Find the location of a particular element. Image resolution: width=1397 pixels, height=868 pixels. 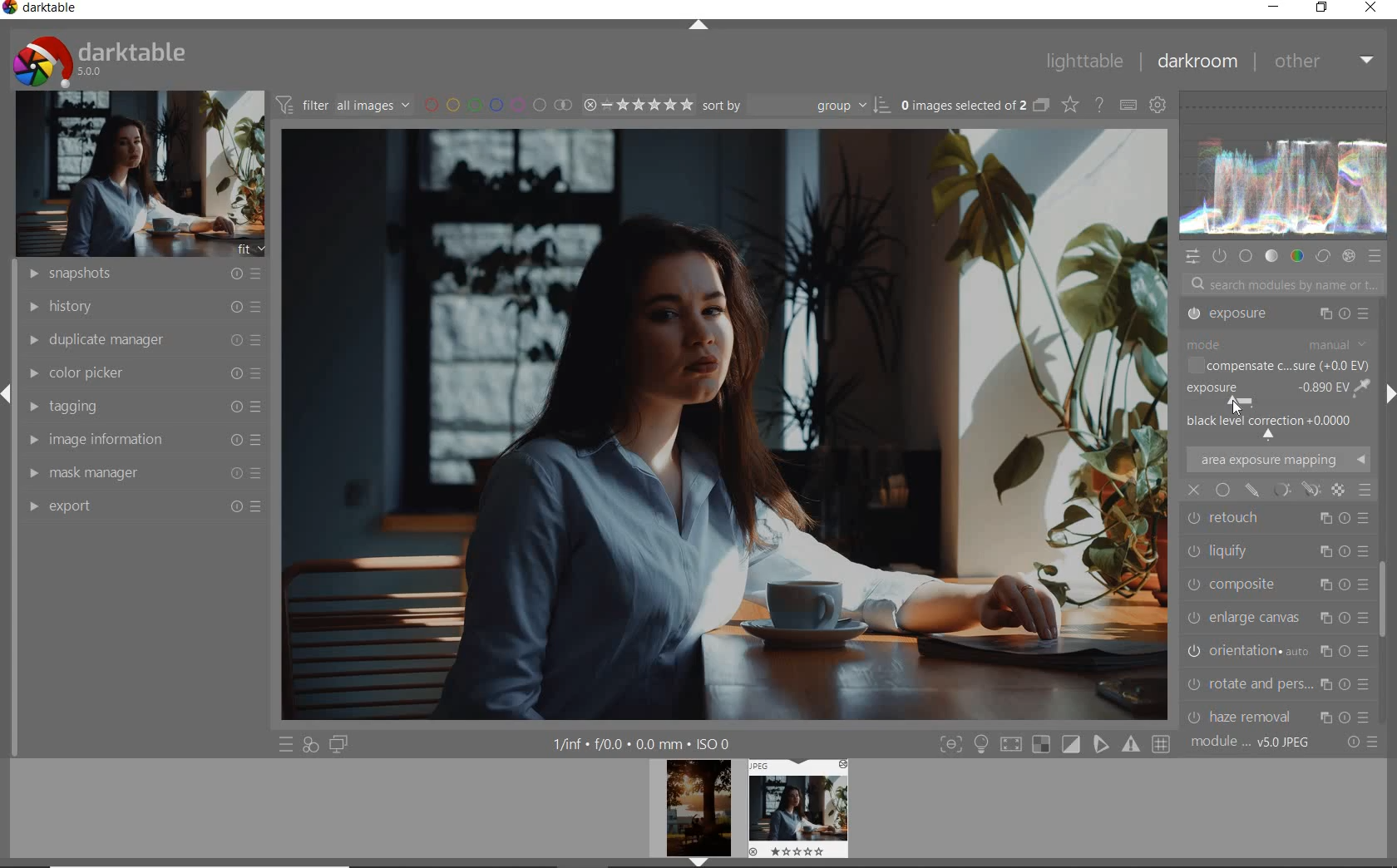

ENLARGE CANVAS is located at coordinates (1277, 514).